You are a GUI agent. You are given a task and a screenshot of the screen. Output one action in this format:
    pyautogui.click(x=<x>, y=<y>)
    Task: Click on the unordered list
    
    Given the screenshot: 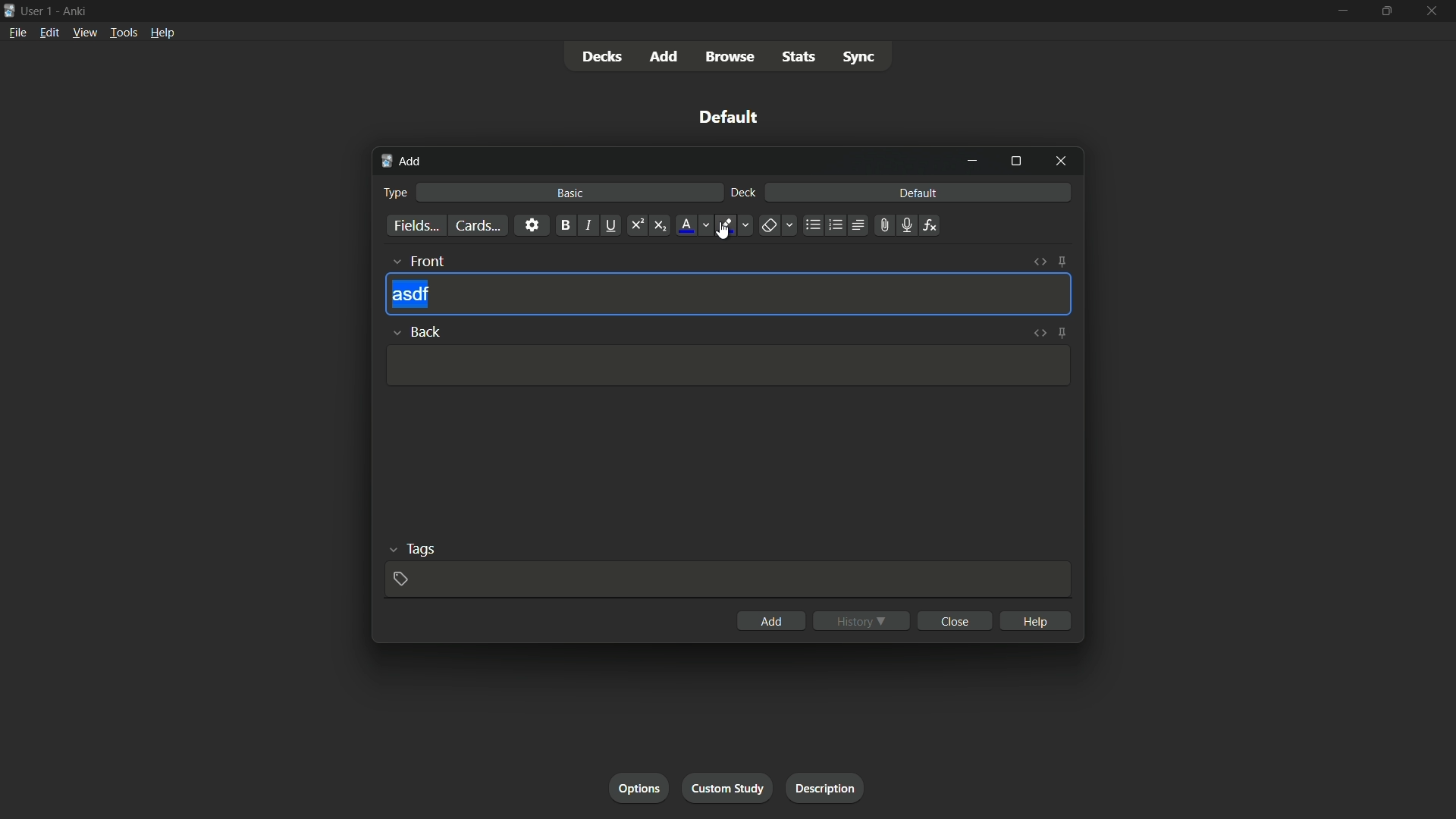 What is the action you would take?
    pyautogui.click(x=814, y=225)
    